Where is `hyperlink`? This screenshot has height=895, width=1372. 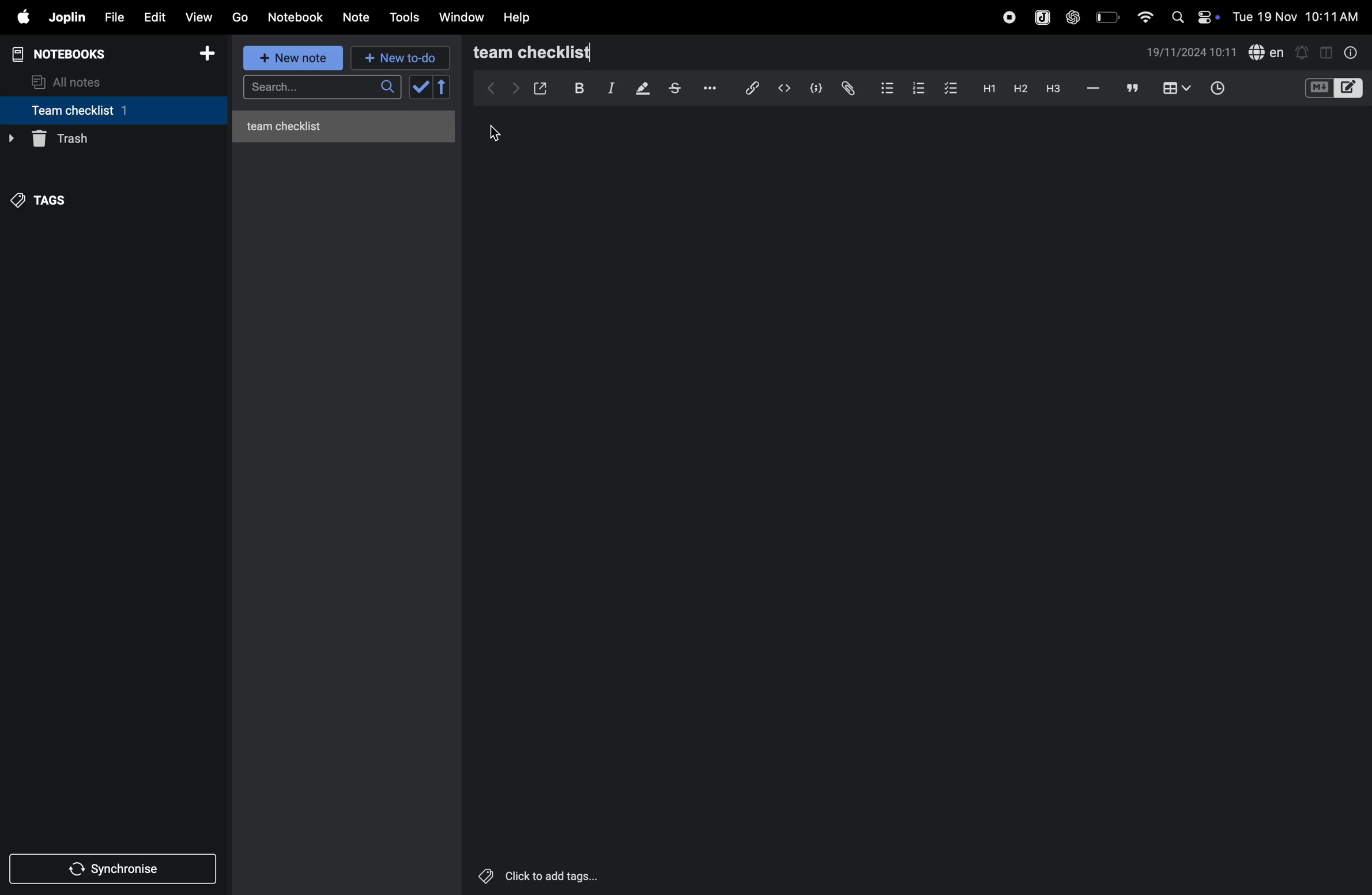 hyperlink is located at coordinates (747, 87).